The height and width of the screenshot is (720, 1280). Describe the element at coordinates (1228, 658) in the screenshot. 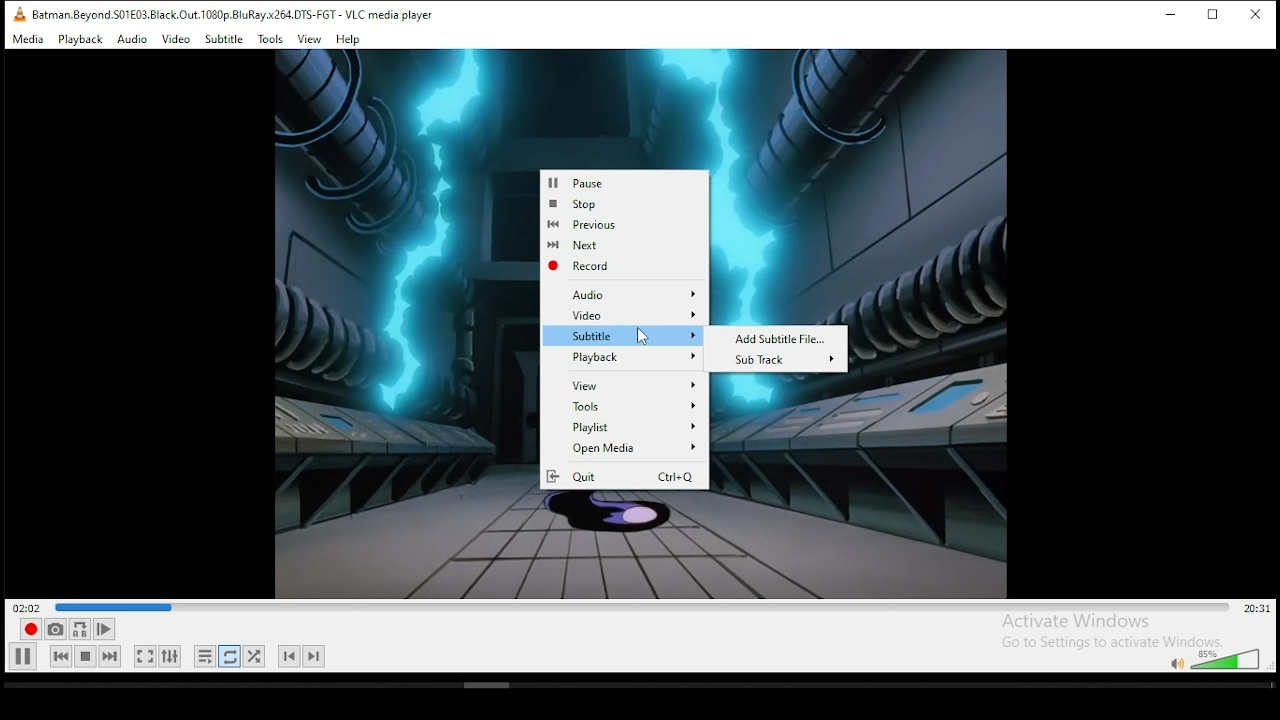

I see `volume` at that location.